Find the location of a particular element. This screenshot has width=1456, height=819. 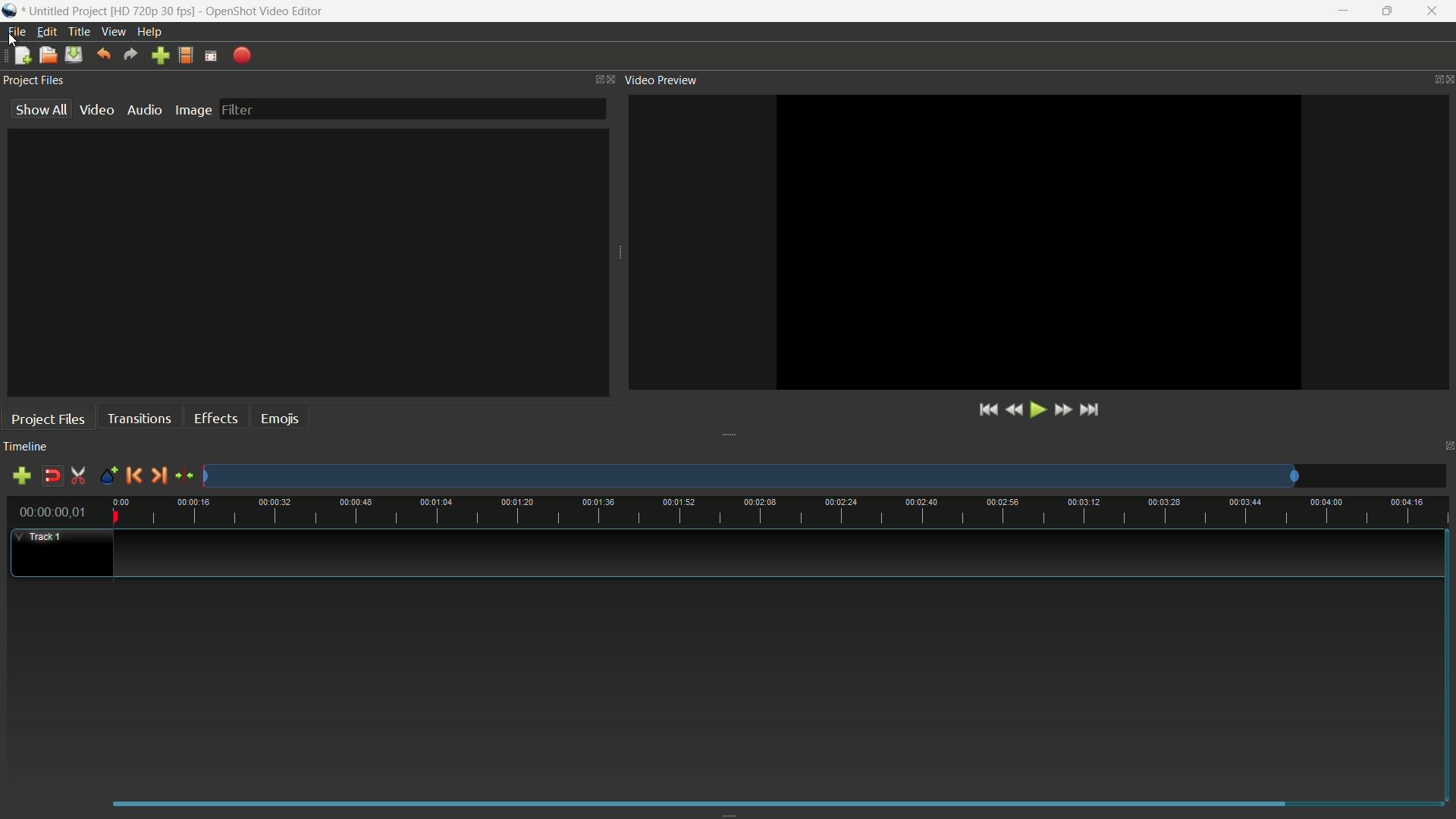

open file is located at coordinates (48, 56).